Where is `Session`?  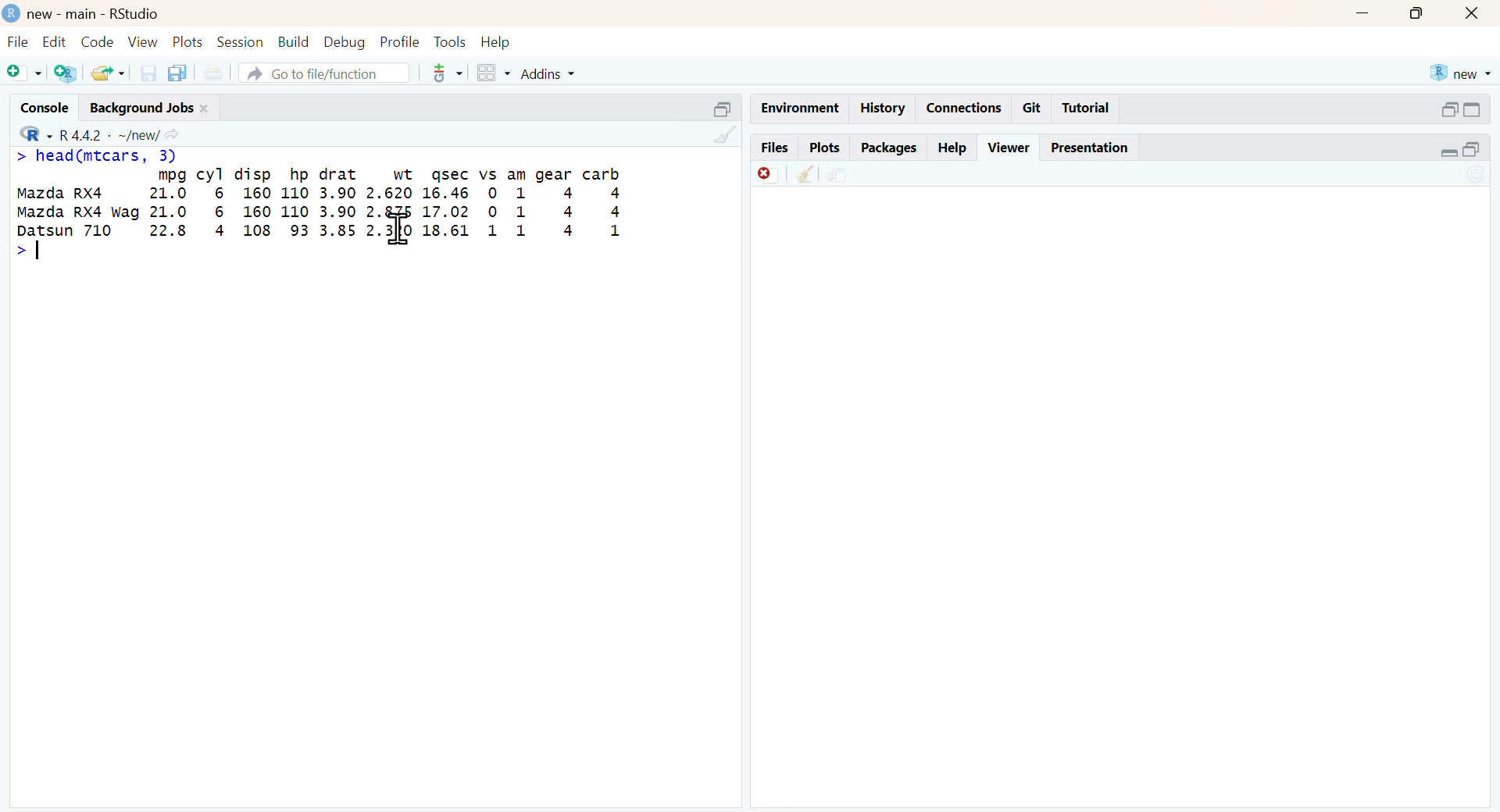 Session is located at coordinates (240, 42).